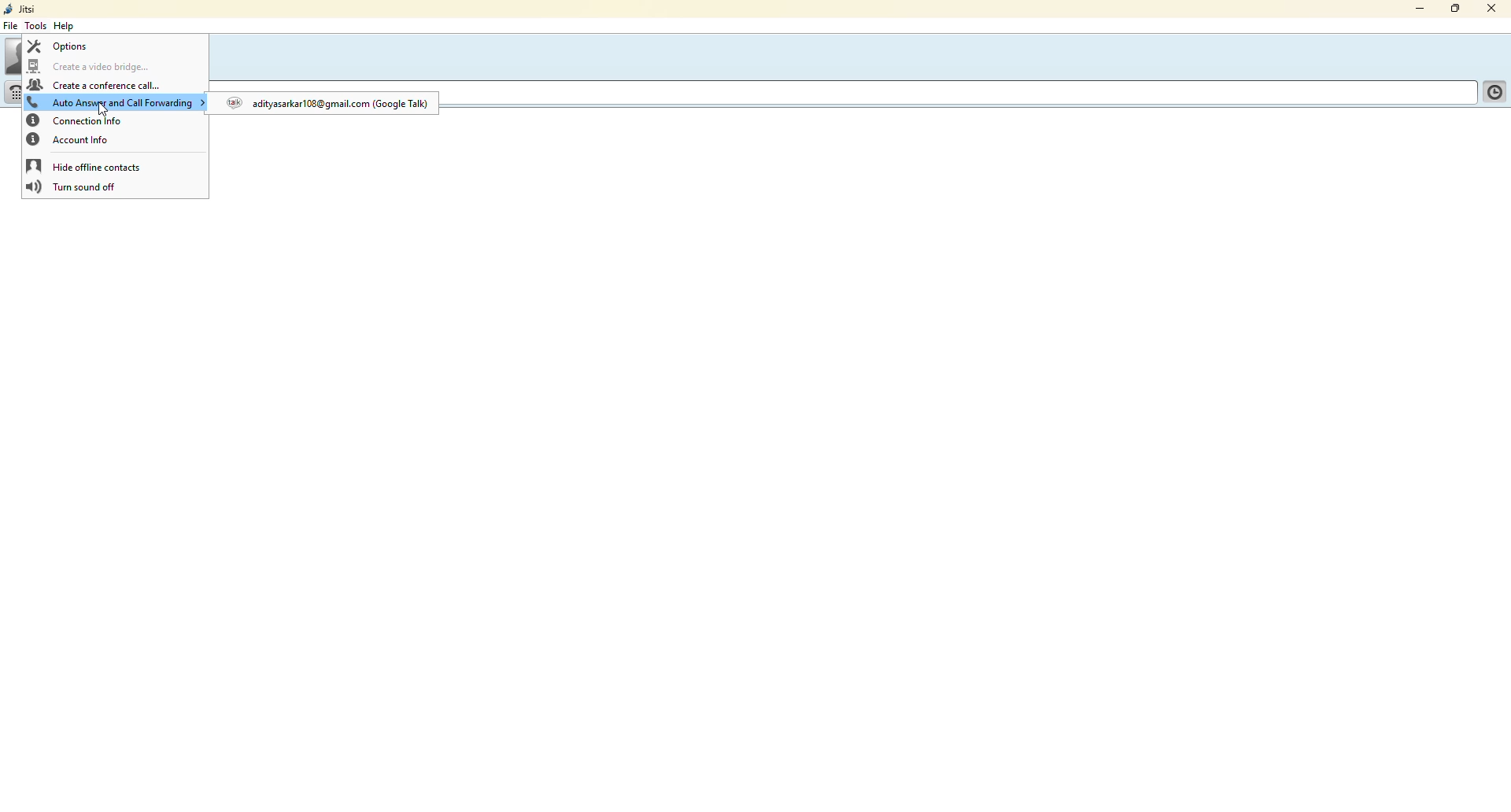 The height and width of the screenshot is (812, 1511). Describe the element at coordinates (1492, 94) in the screenshot. I see `contact list` at that location.